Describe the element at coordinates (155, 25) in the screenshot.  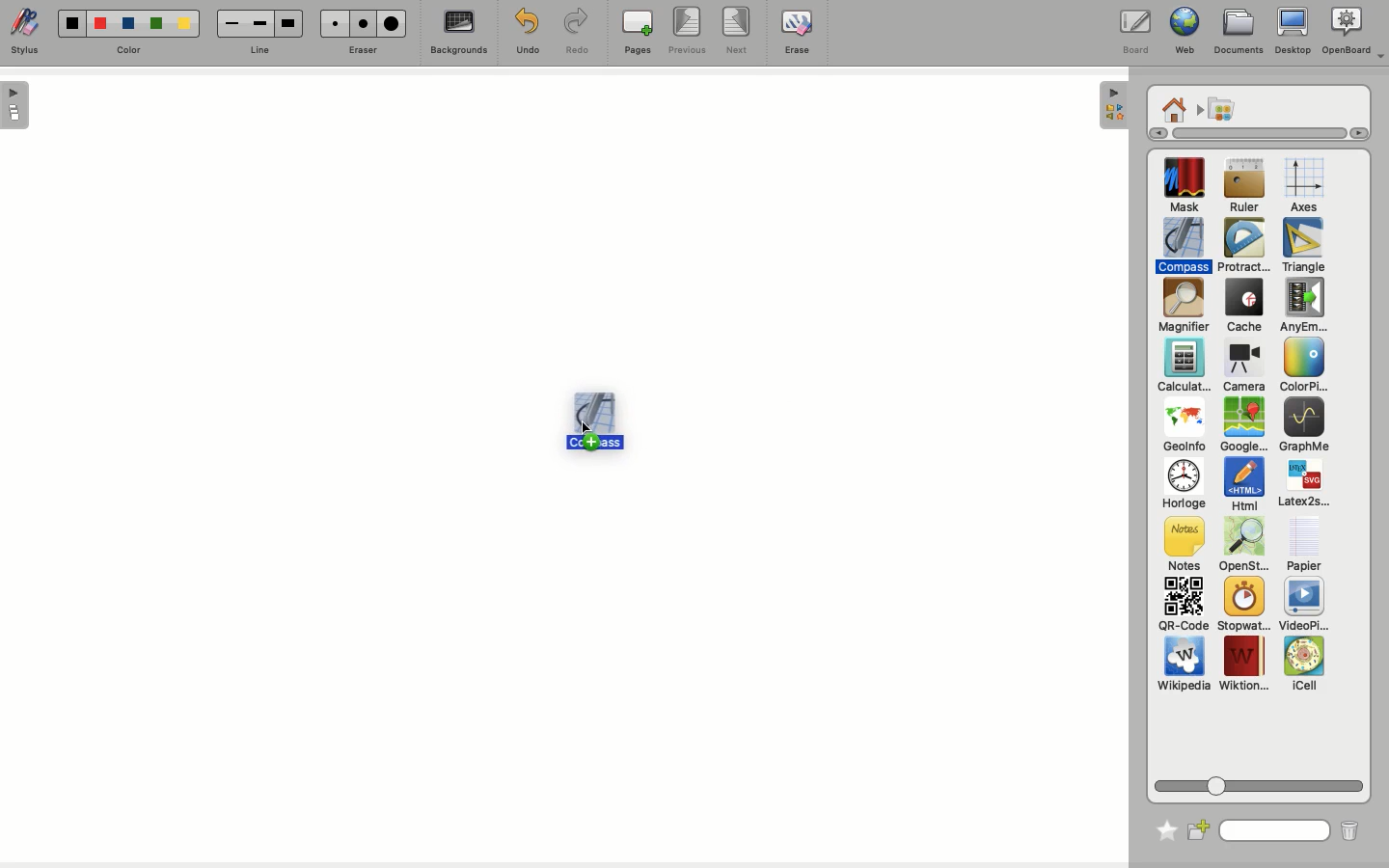
I see `color 4` at that location.